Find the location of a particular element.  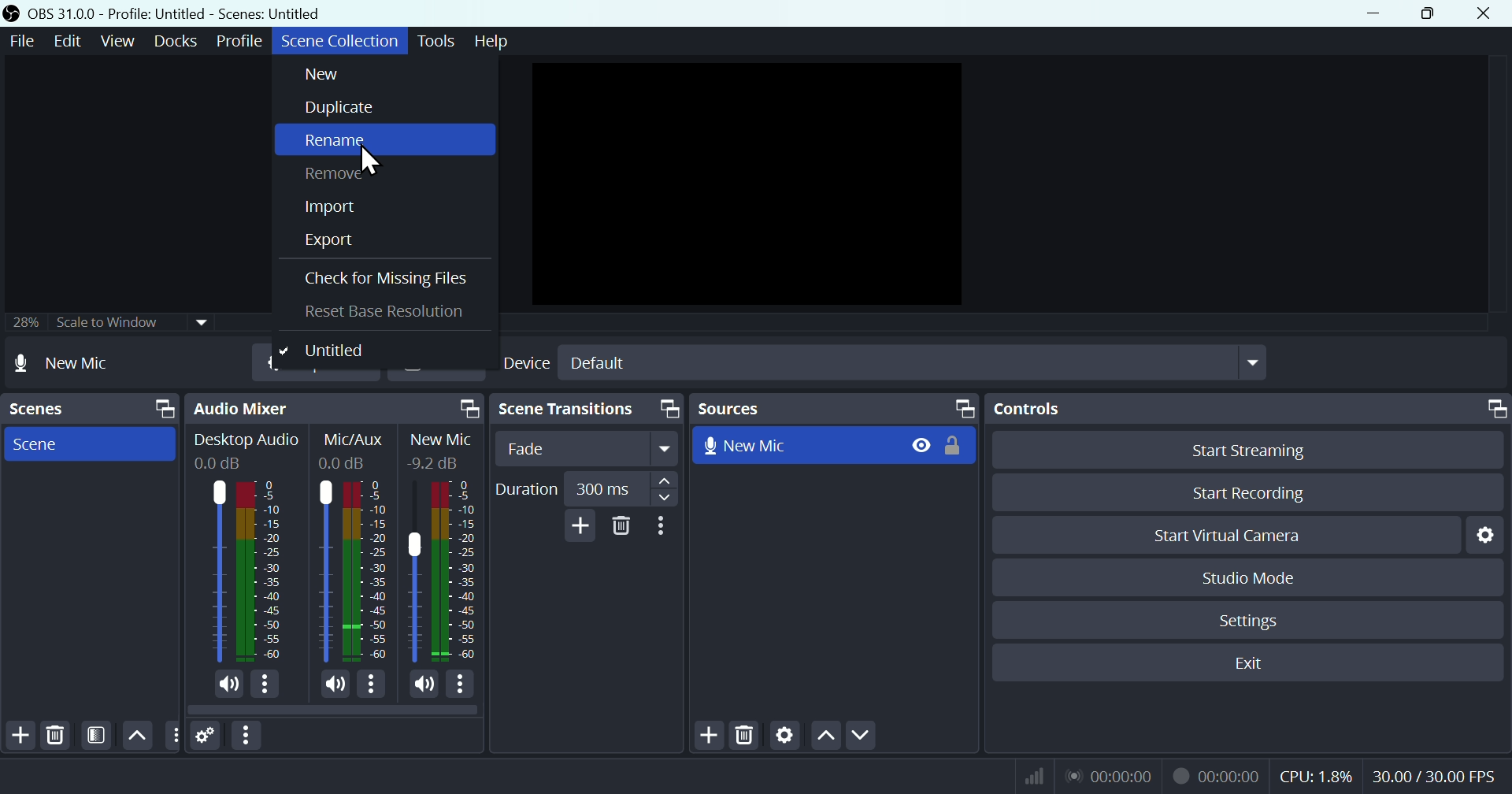

Default is located at coordinates (929, 361).